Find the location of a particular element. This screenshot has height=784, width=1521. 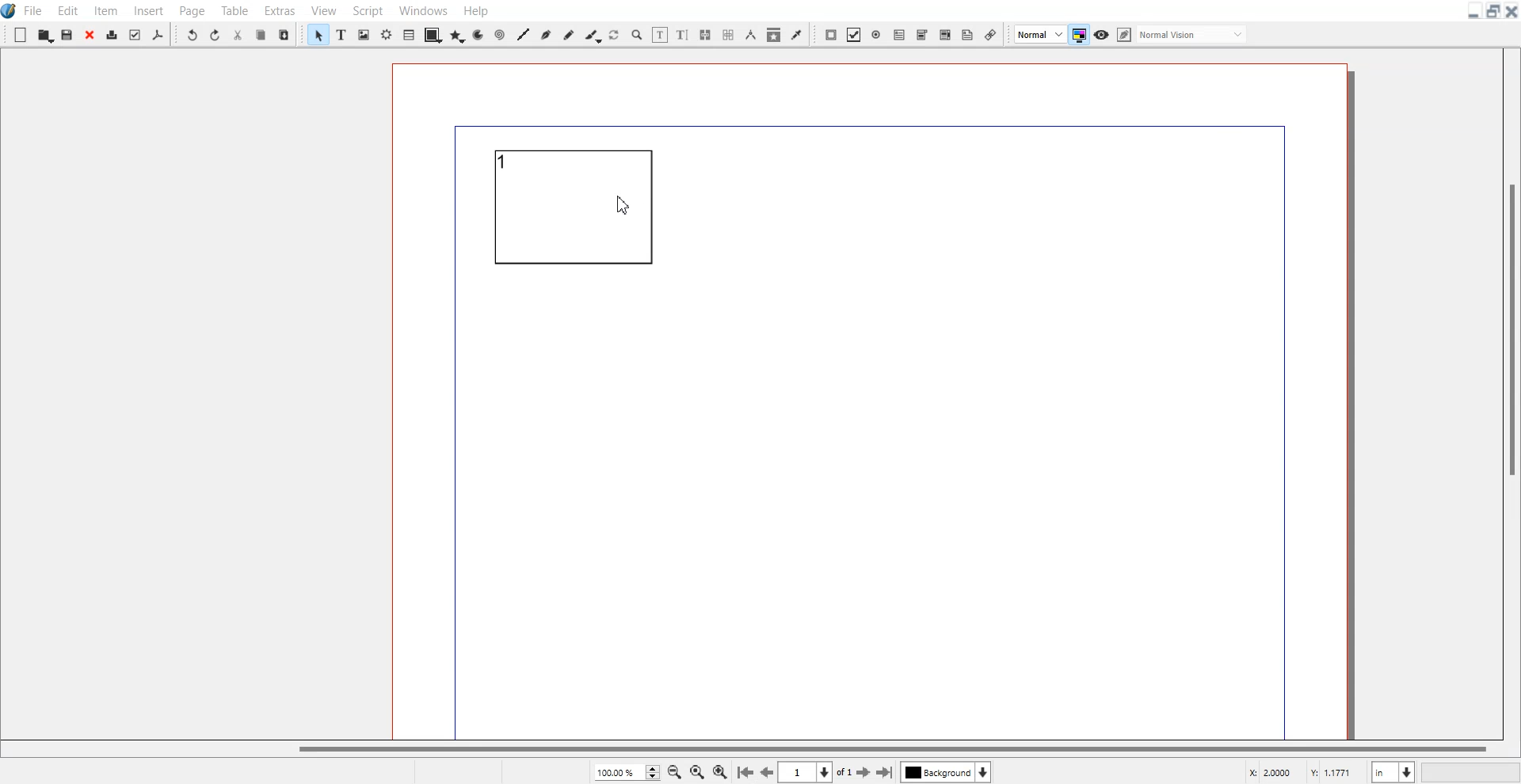

Text is located at coordinates (507, 162).